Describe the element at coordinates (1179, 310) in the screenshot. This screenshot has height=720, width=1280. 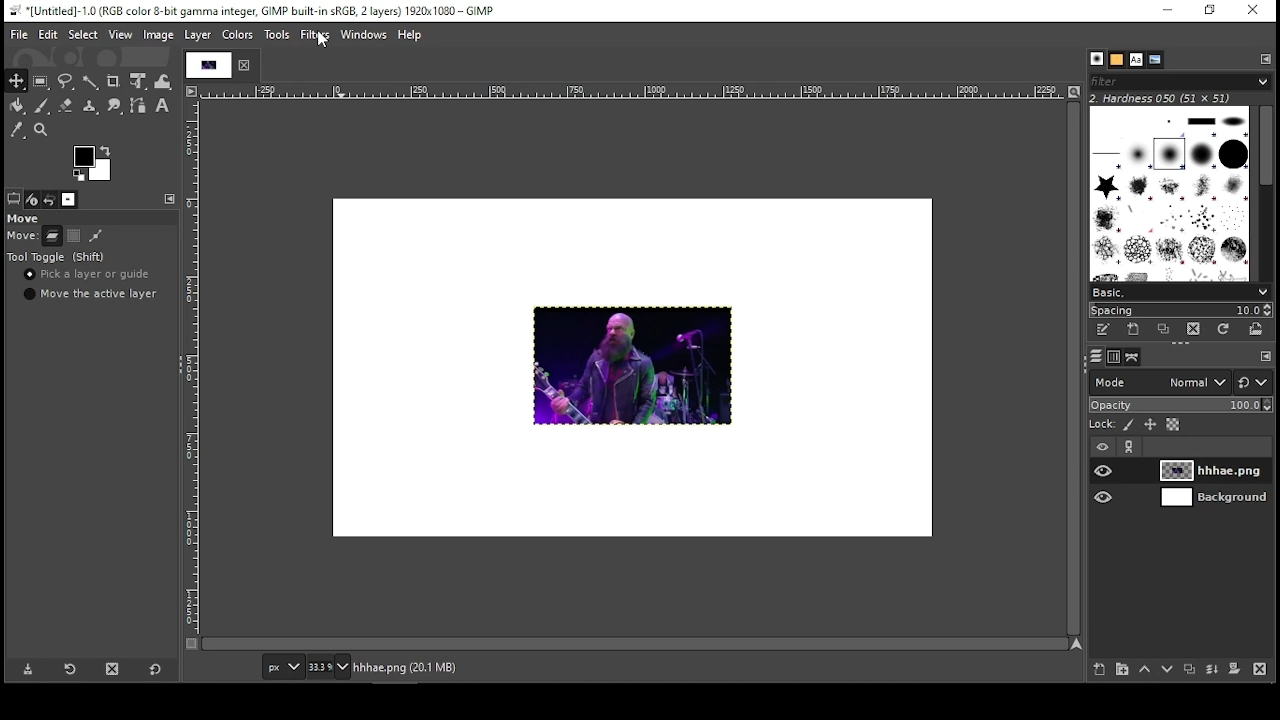
I see `spacing` at that location.